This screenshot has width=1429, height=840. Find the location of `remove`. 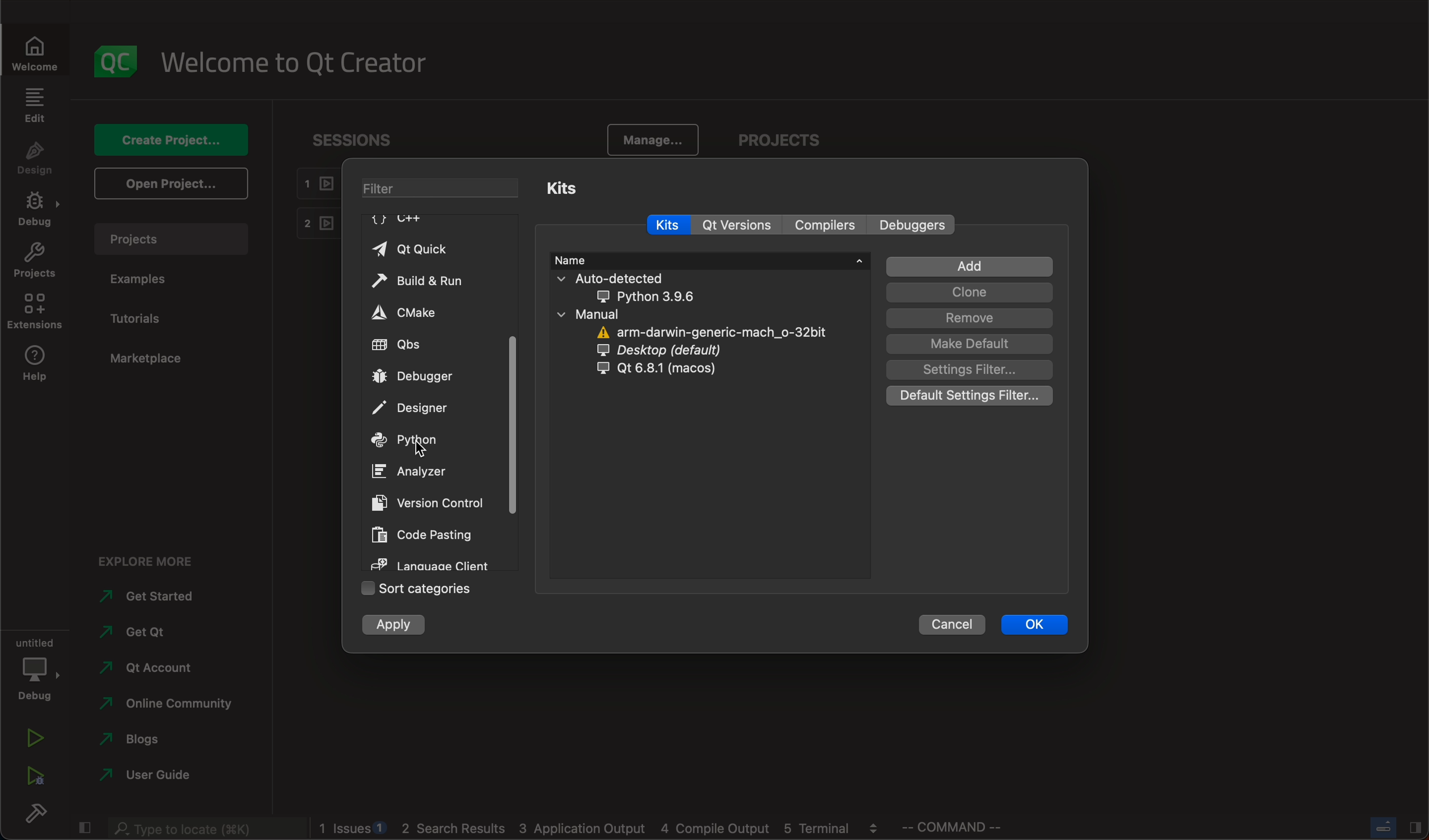

remove is located at coordinates (971, 320).